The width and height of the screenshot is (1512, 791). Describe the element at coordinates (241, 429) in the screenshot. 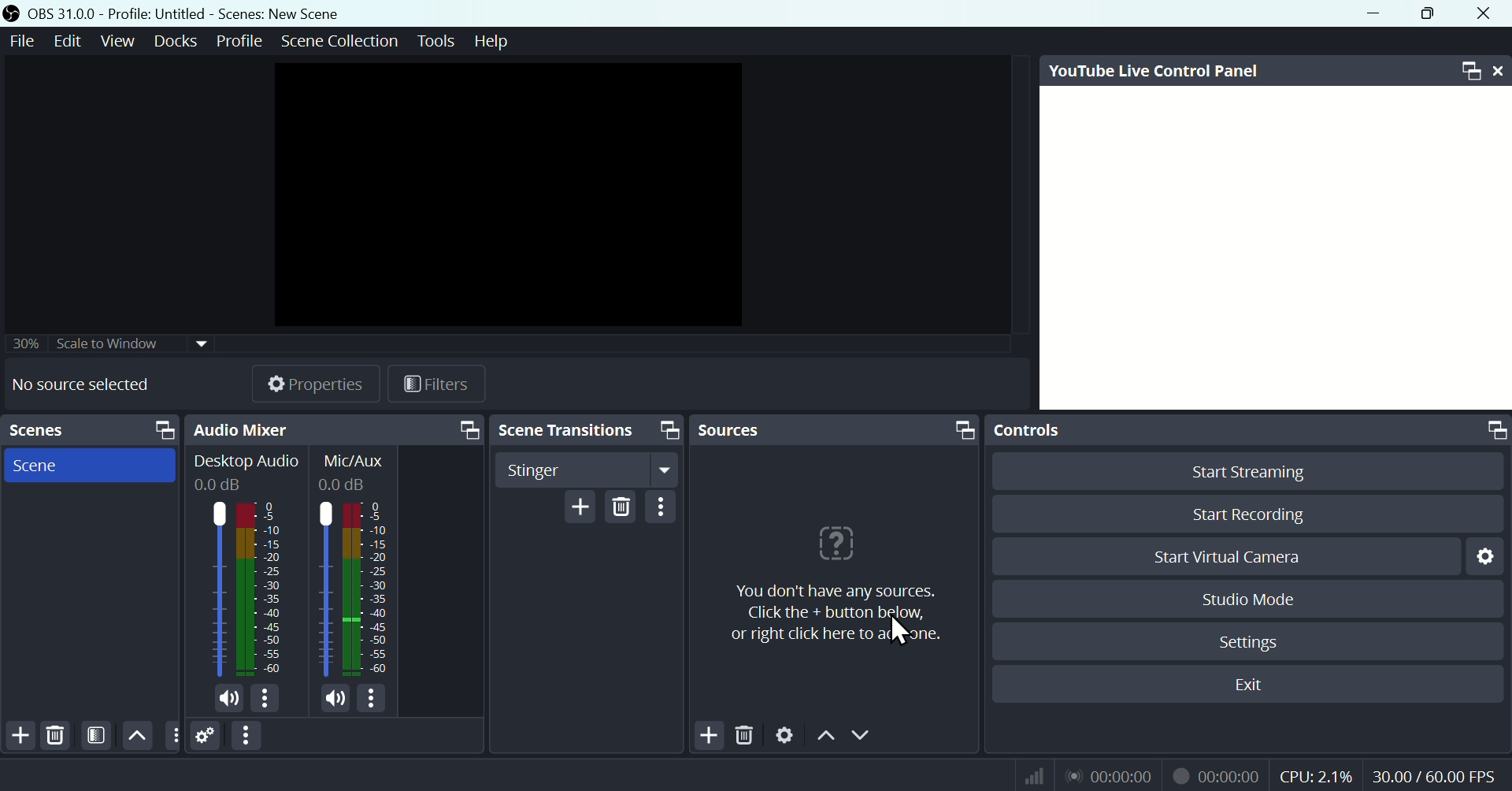

I see `Audio mixer` at that location.